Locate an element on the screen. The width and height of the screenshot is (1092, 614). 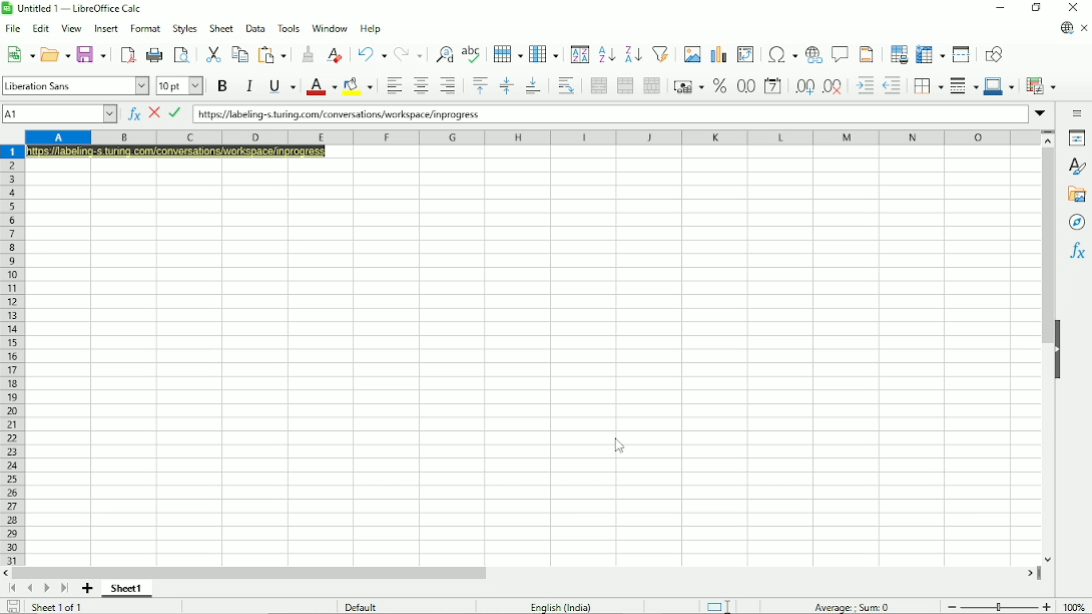
data is located at coordinates (255, 28).